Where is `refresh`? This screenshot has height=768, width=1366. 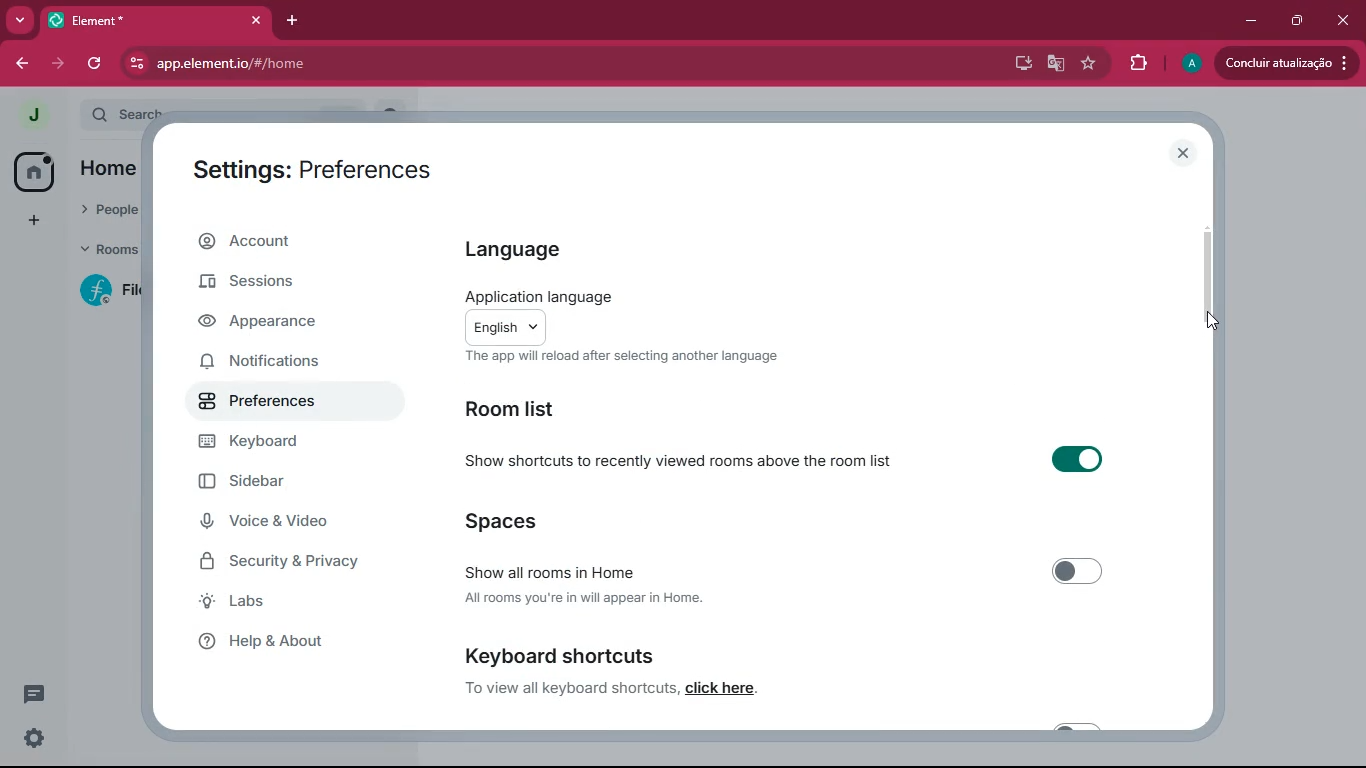 refresh is located at coordinates (96, 64).